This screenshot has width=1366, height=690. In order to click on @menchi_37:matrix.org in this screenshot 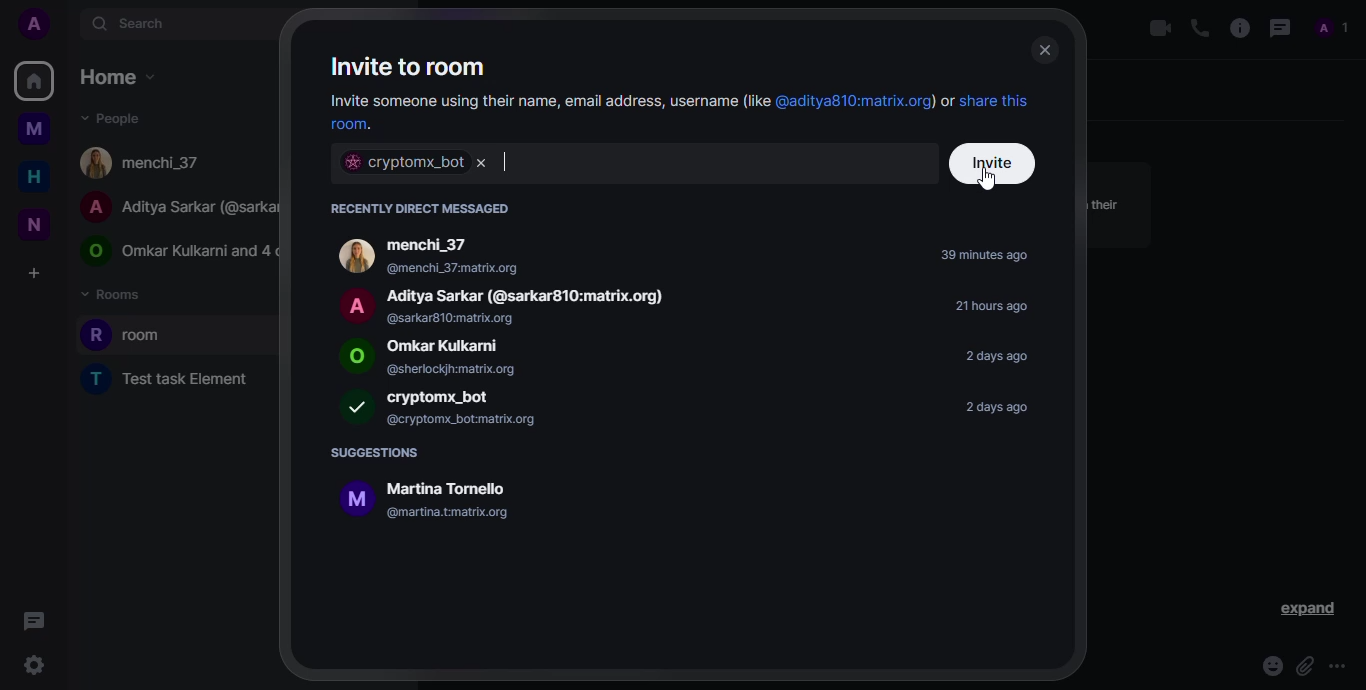, I will do `click(456, 268)`.